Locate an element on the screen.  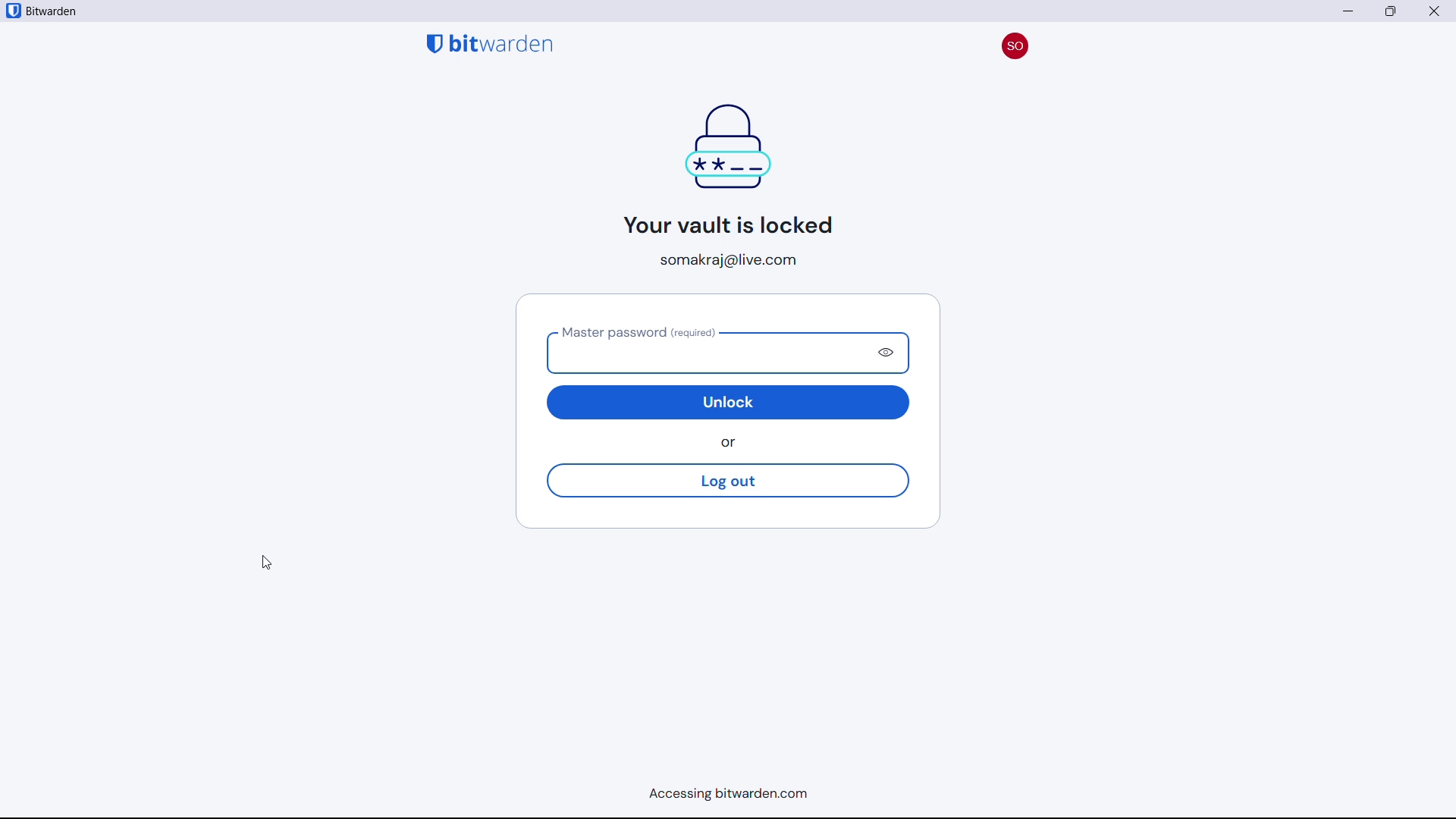
Toggle visibility  is located at coordinates (889, 353).